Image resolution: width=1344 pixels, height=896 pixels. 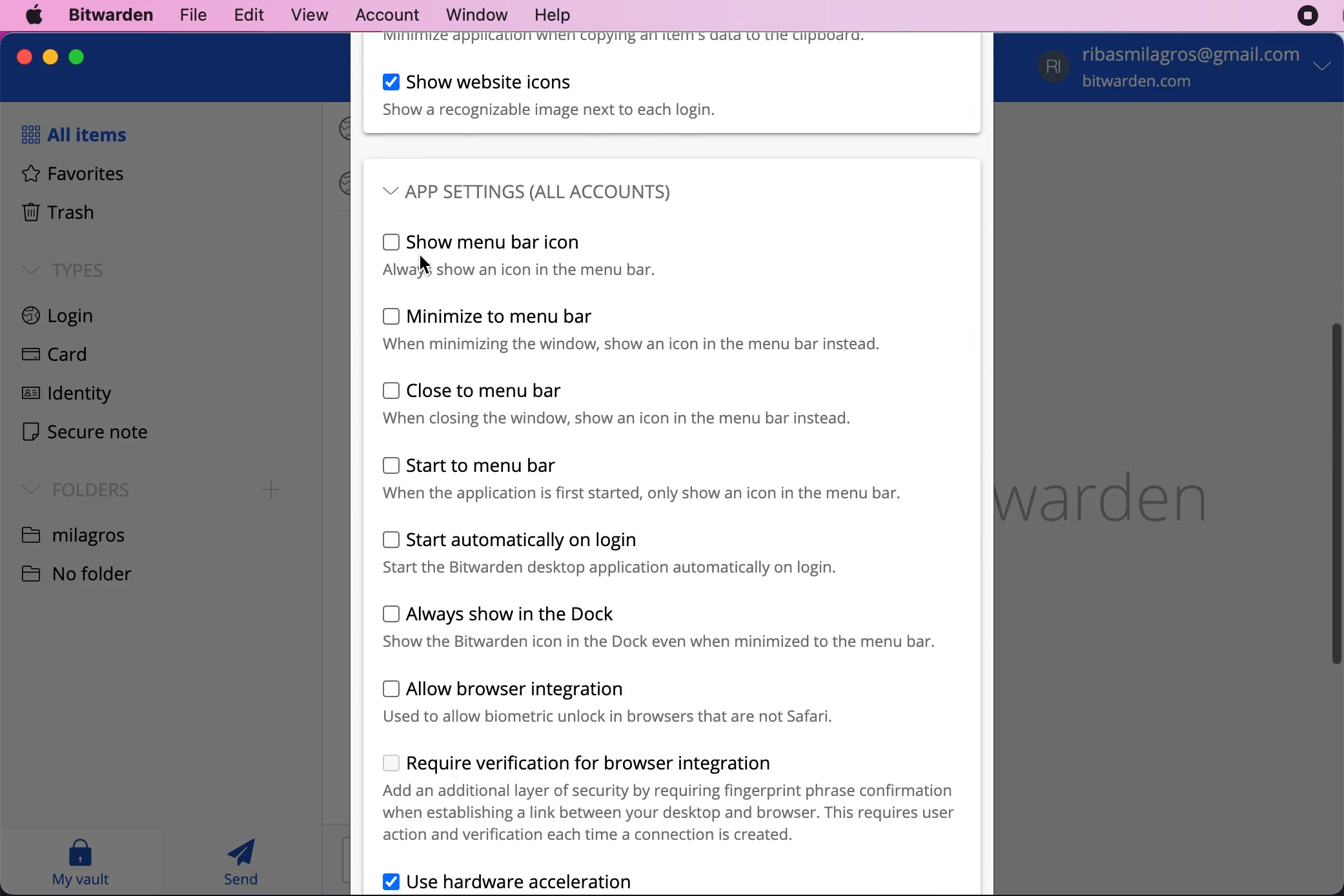 I want to click on start automatically on login, so click(x=618, y=553).